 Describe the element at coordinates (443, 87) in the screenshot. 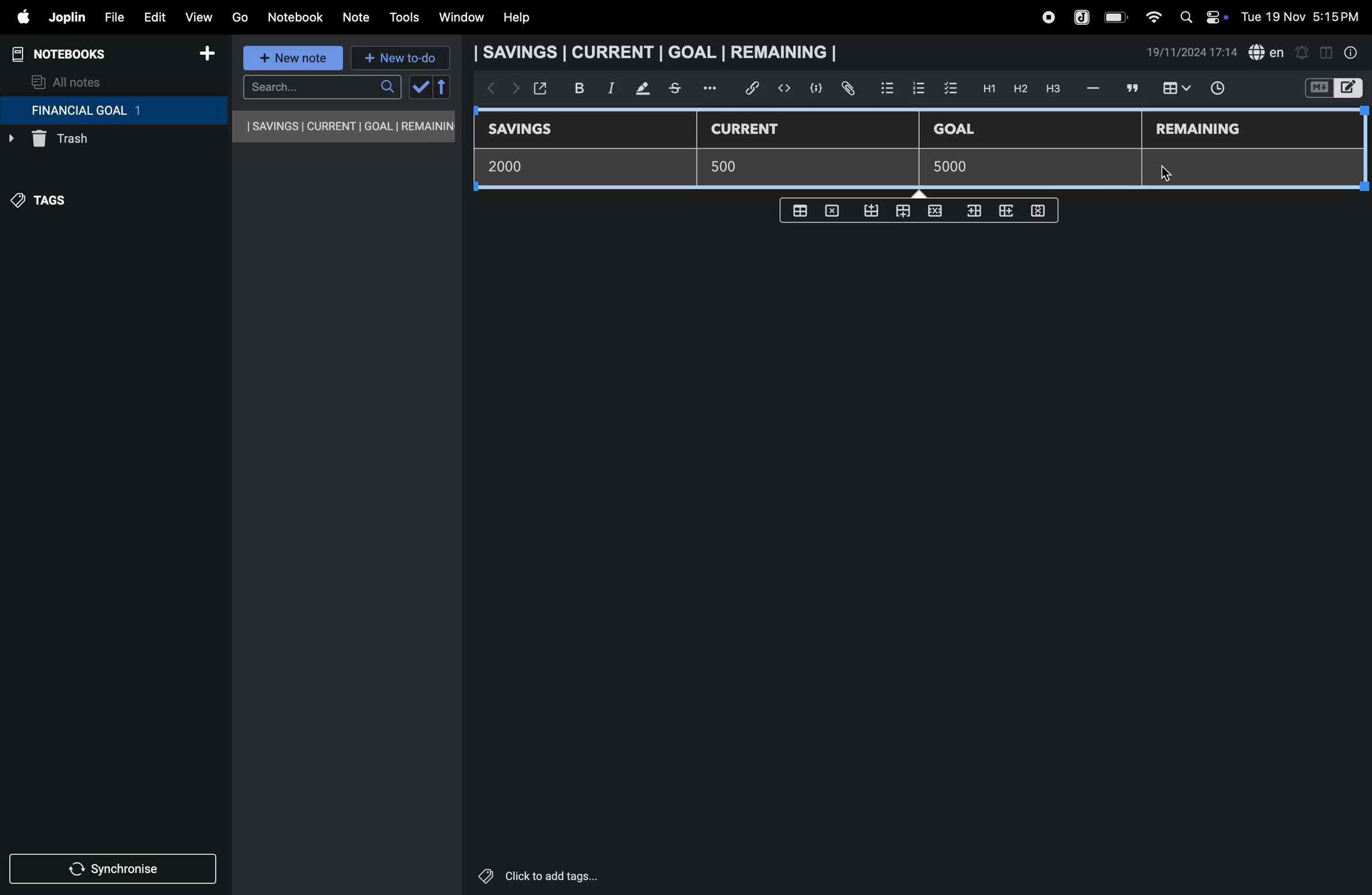

I see `reverse sort order` at that location.